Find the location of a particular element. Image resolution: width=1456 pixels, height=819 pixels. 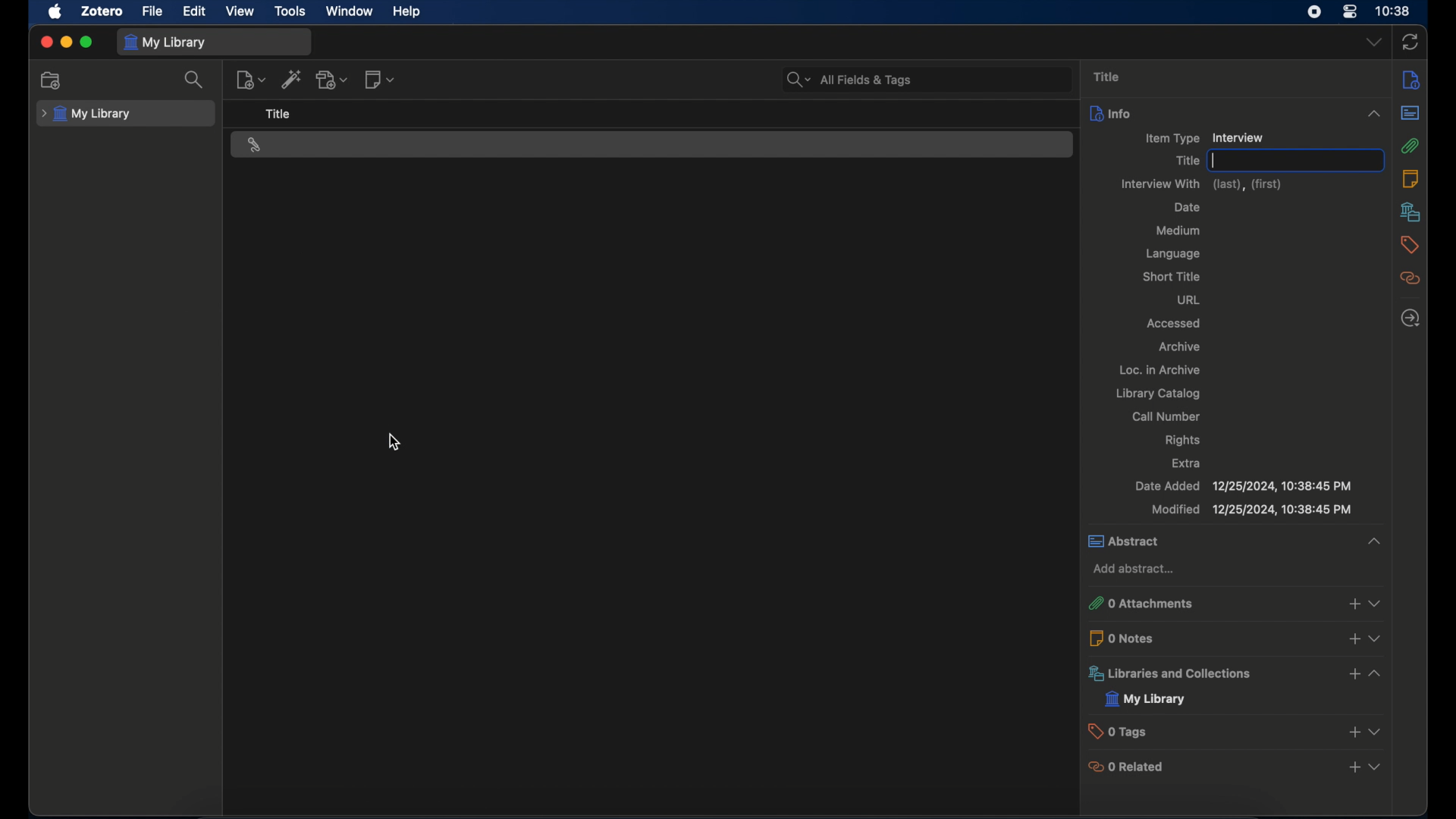

view is located at coordinates (1379, 603).